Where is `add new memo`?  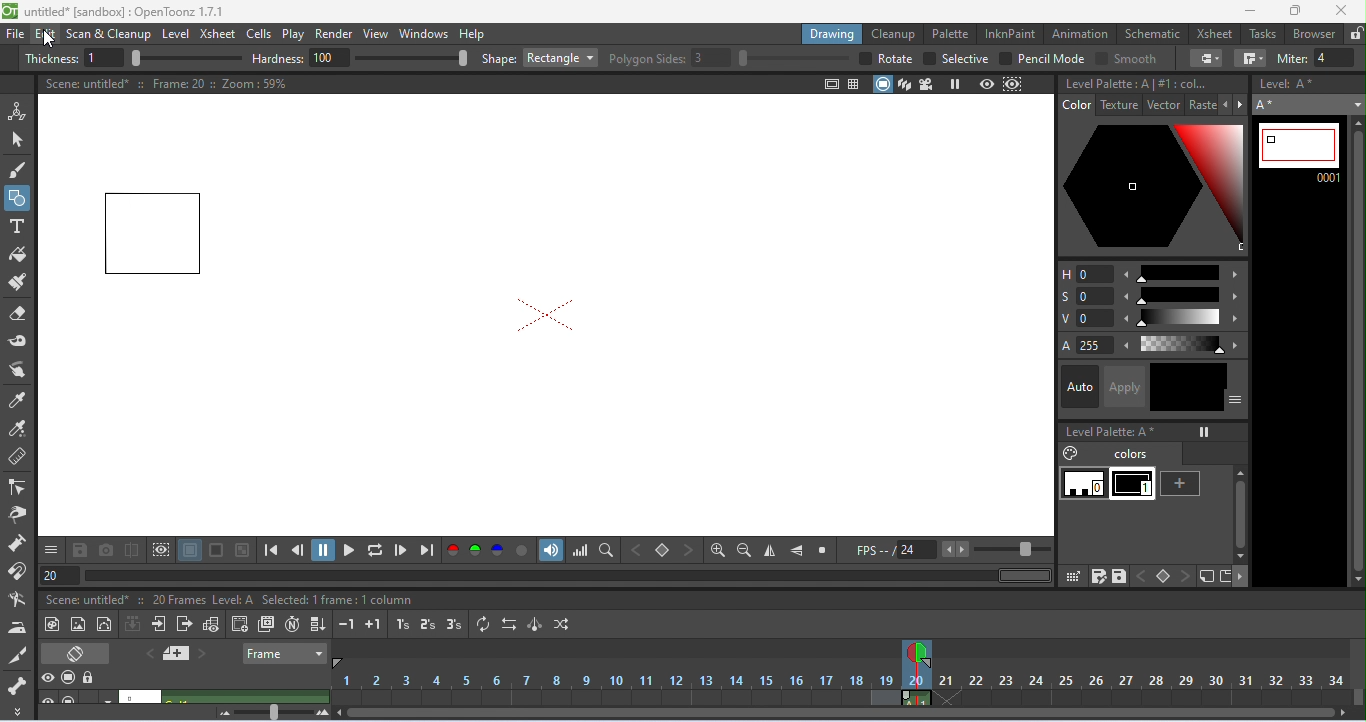 add new memo is located at coordinates (177, 653).